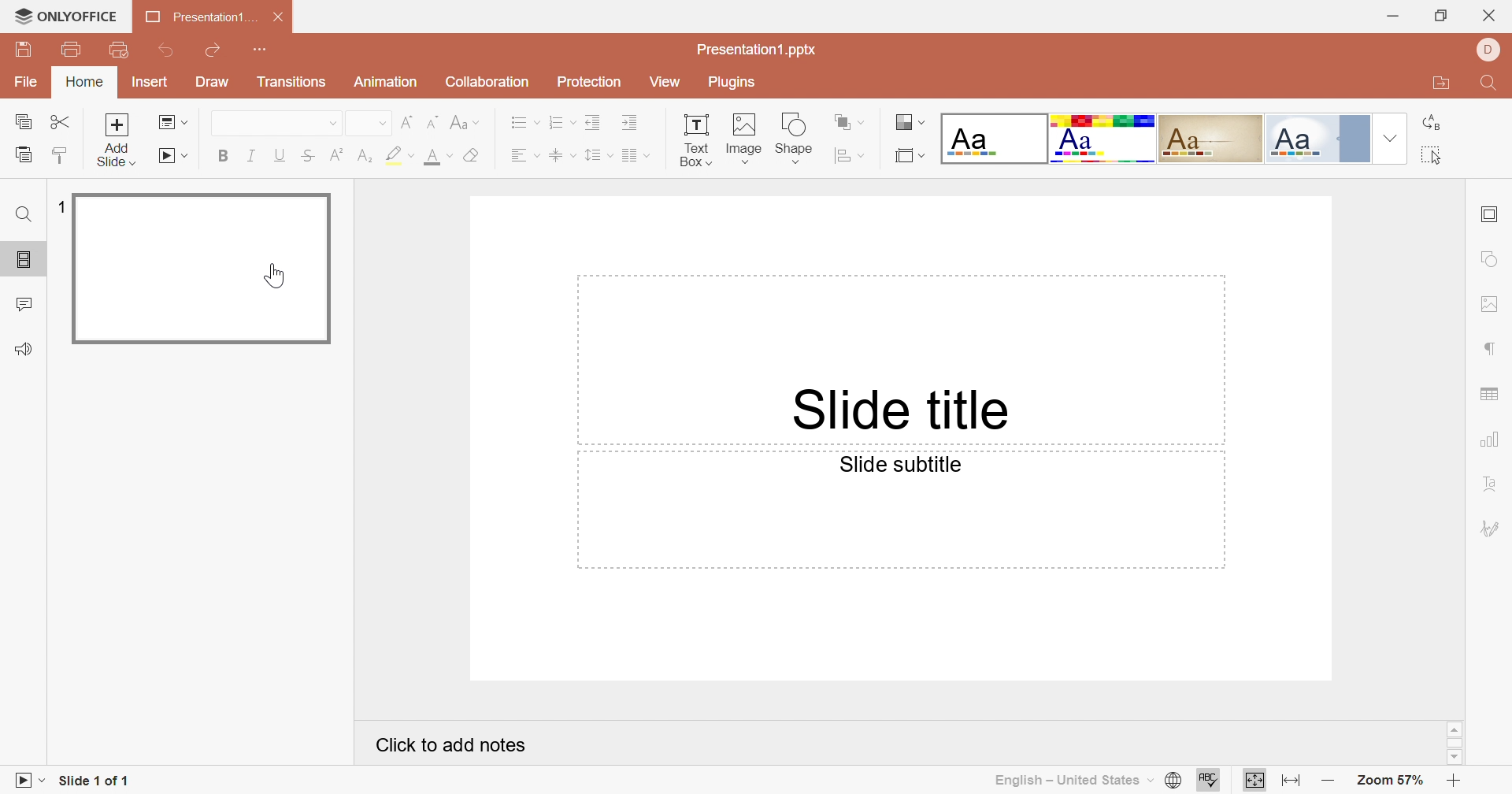 This screenshot has width=1512, height=794. Describe the element at coordinates (1212, 779) in the screenshot. I see `Spell Checking` at that location.